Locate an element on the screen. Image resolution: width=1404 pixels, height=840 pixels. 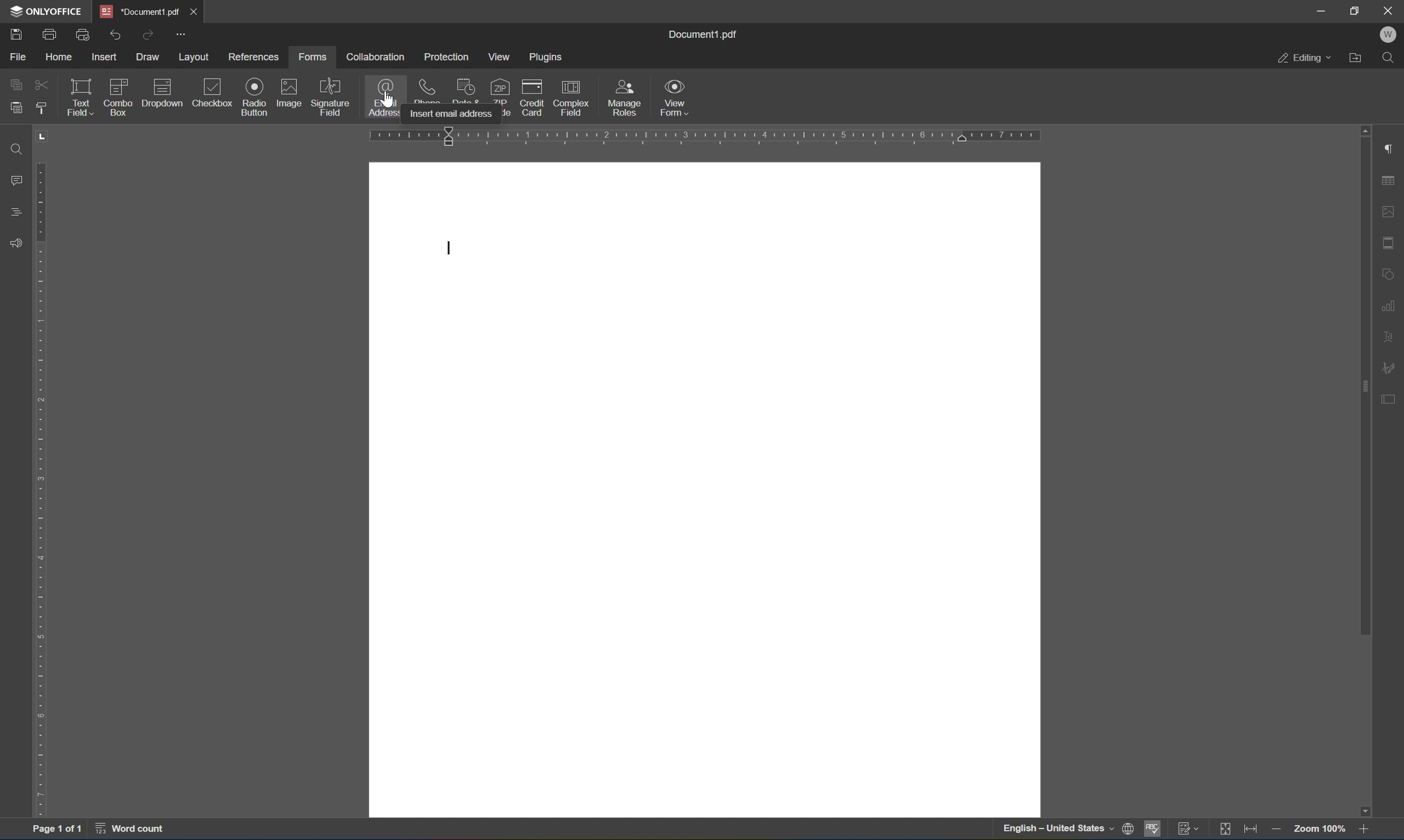
W is located at coordinates (1391, 32).